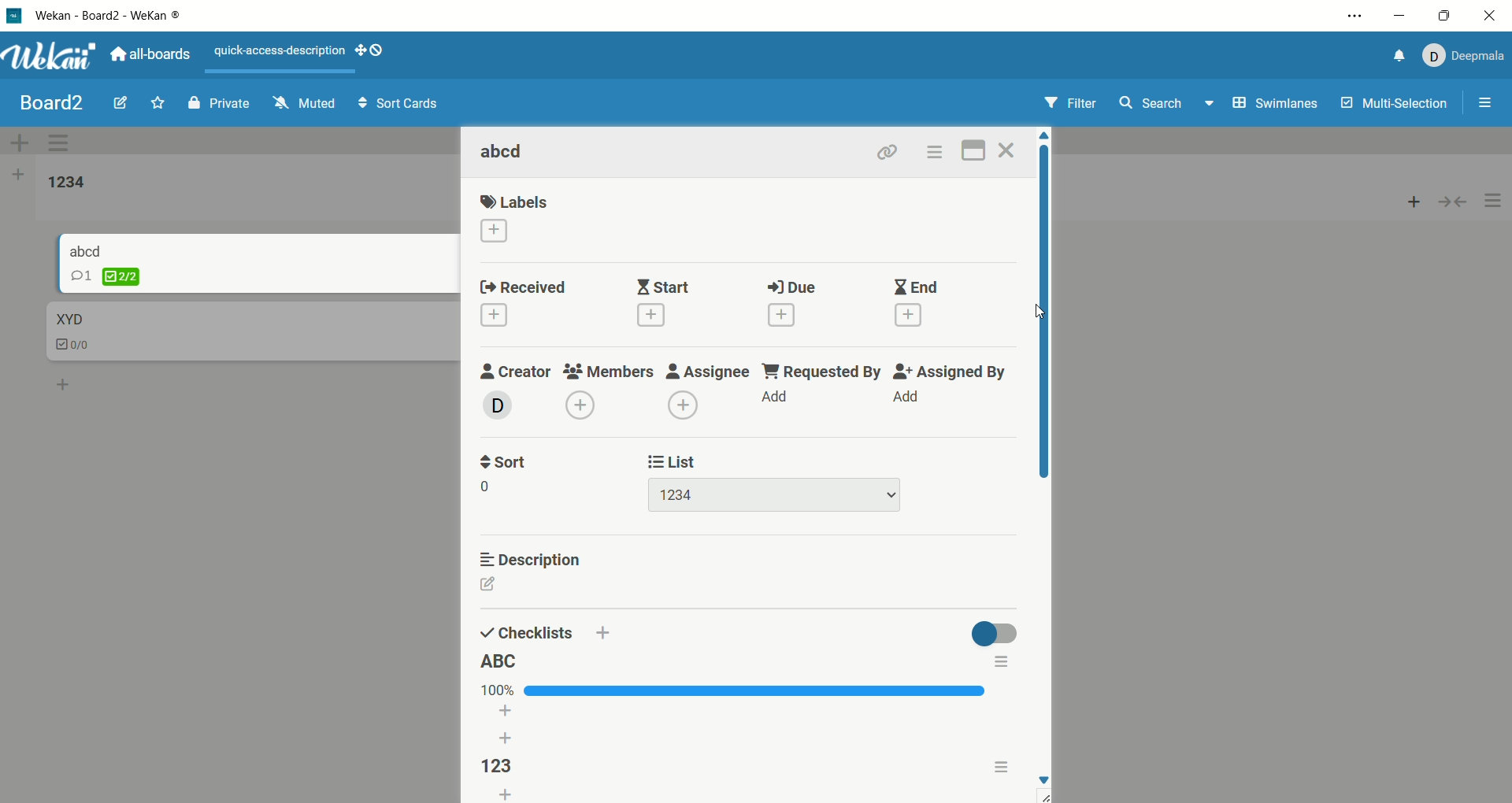 The height and width of the screenshot is (803, 1512). Describe the element at coordinates (991, 631) in the screenshot. I see `toggle button` at that location.